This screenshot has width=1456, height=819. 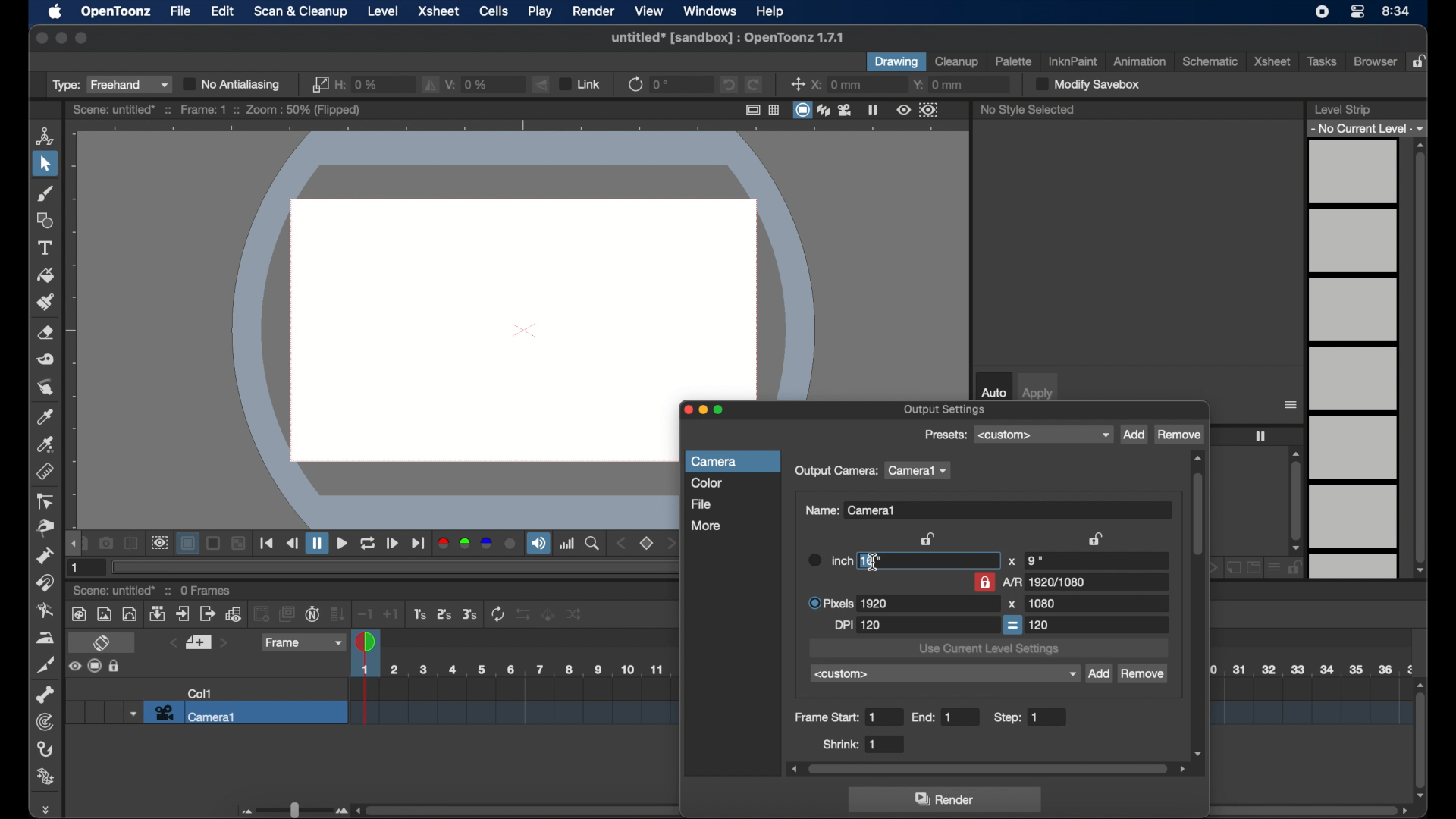 What do you see at coordinates (344, 545) in the screenshot?
I see `` at bounding box center [344, 545].